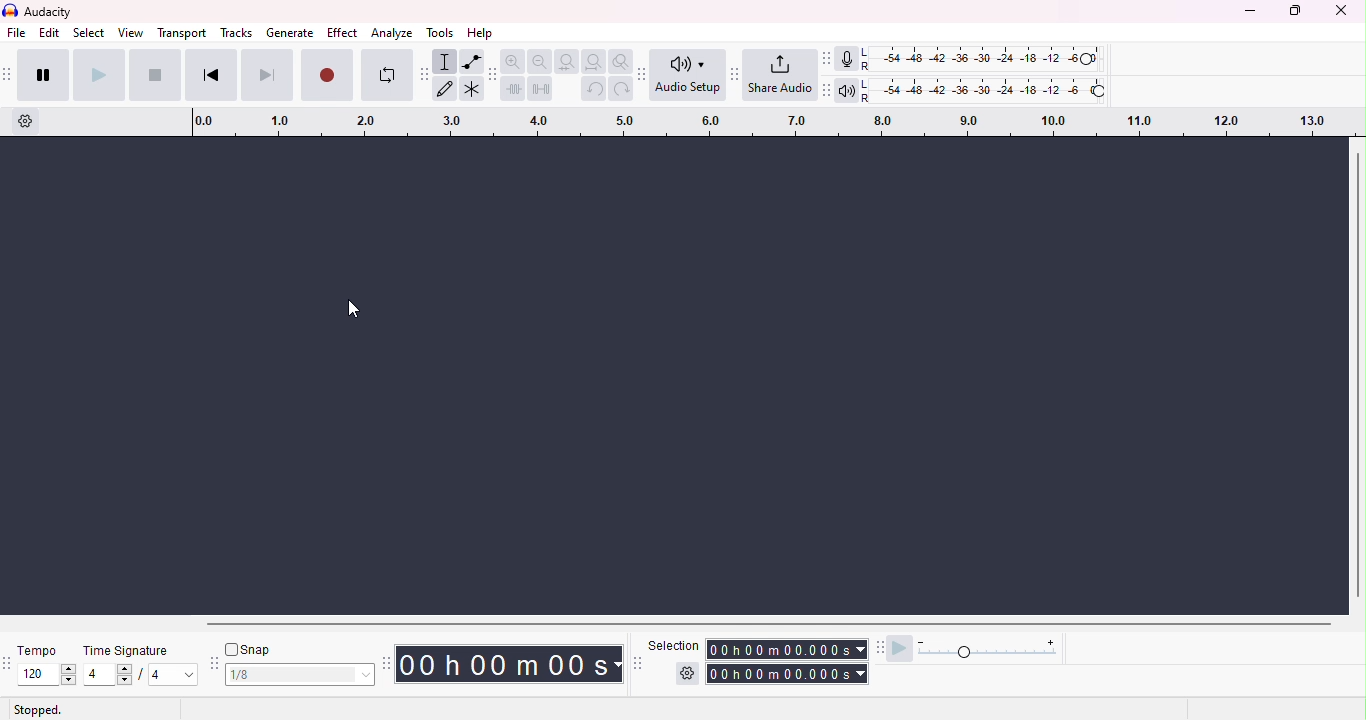  I want to click on Audio setup tool bar, so click(645, 73).